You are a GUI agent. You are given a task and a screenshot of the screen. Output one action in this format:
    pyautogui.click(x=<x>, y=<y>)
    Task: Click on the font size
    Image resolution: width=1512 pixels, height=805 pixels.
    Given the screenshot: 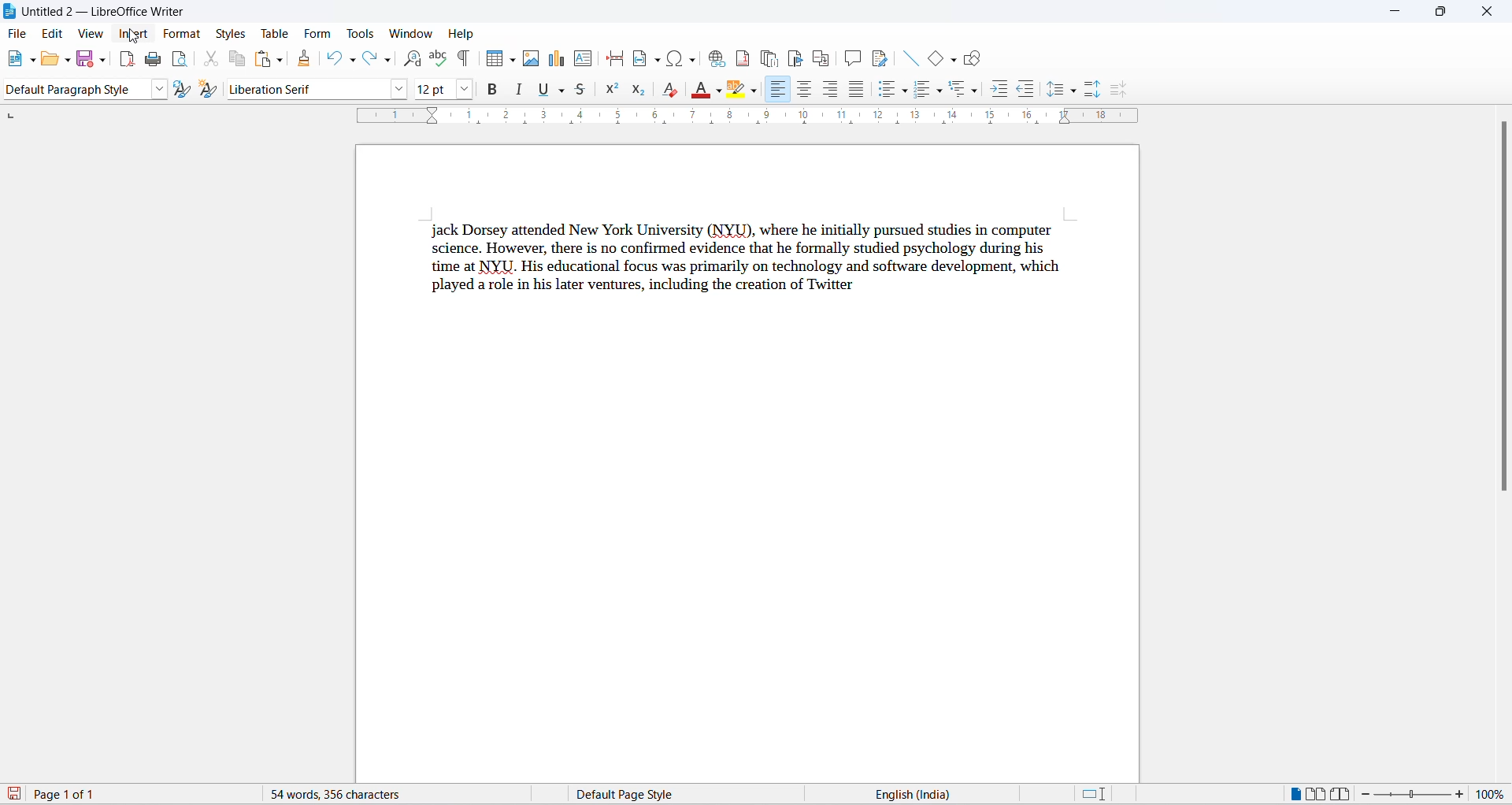 What is the action you would take?
    pyautogui.click(x=435, y=88)
    